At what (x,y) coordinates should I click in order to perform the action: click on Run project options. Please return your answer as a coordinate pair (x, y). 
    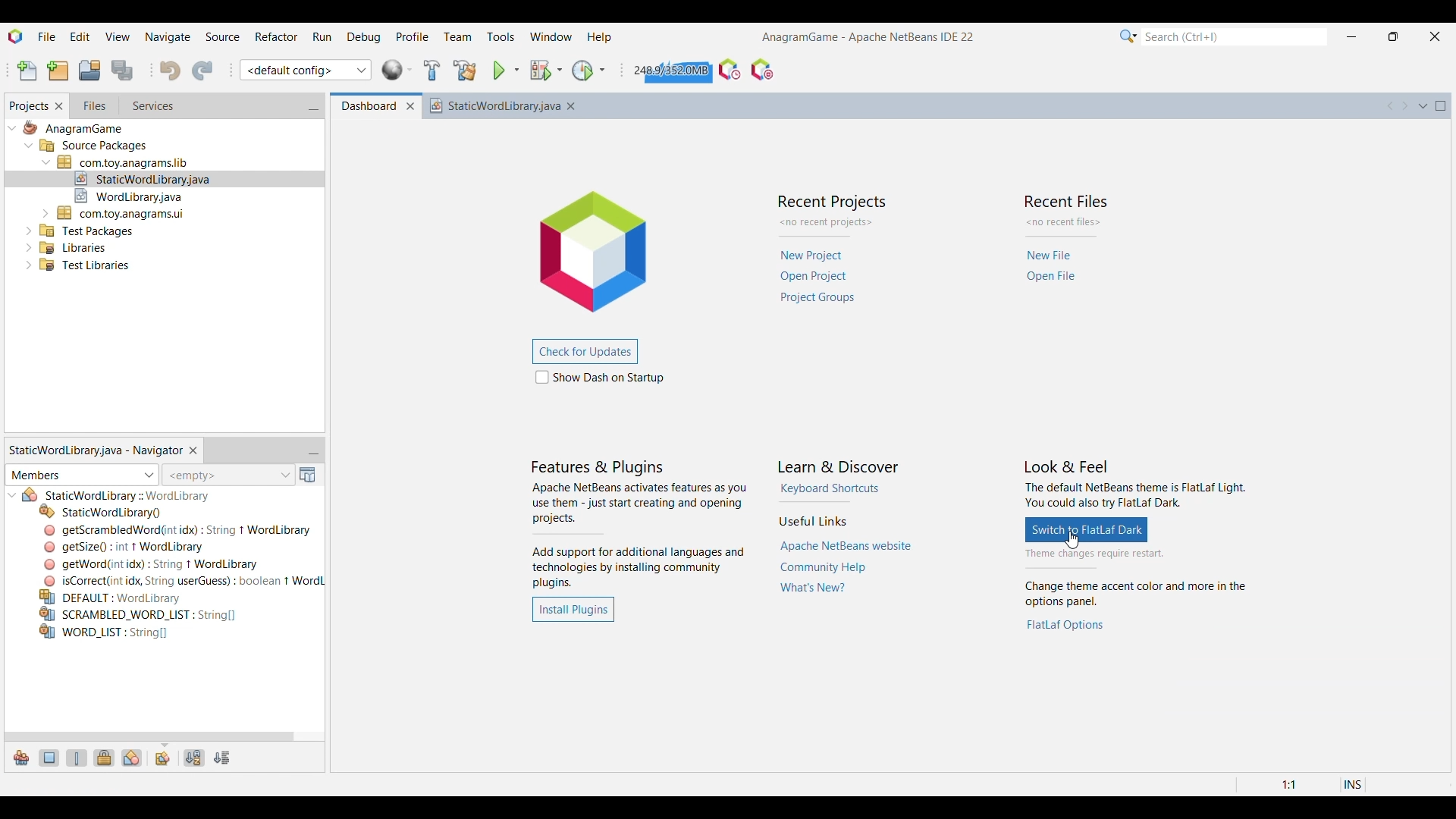
    Looking at the image, I should click on (516, 70).